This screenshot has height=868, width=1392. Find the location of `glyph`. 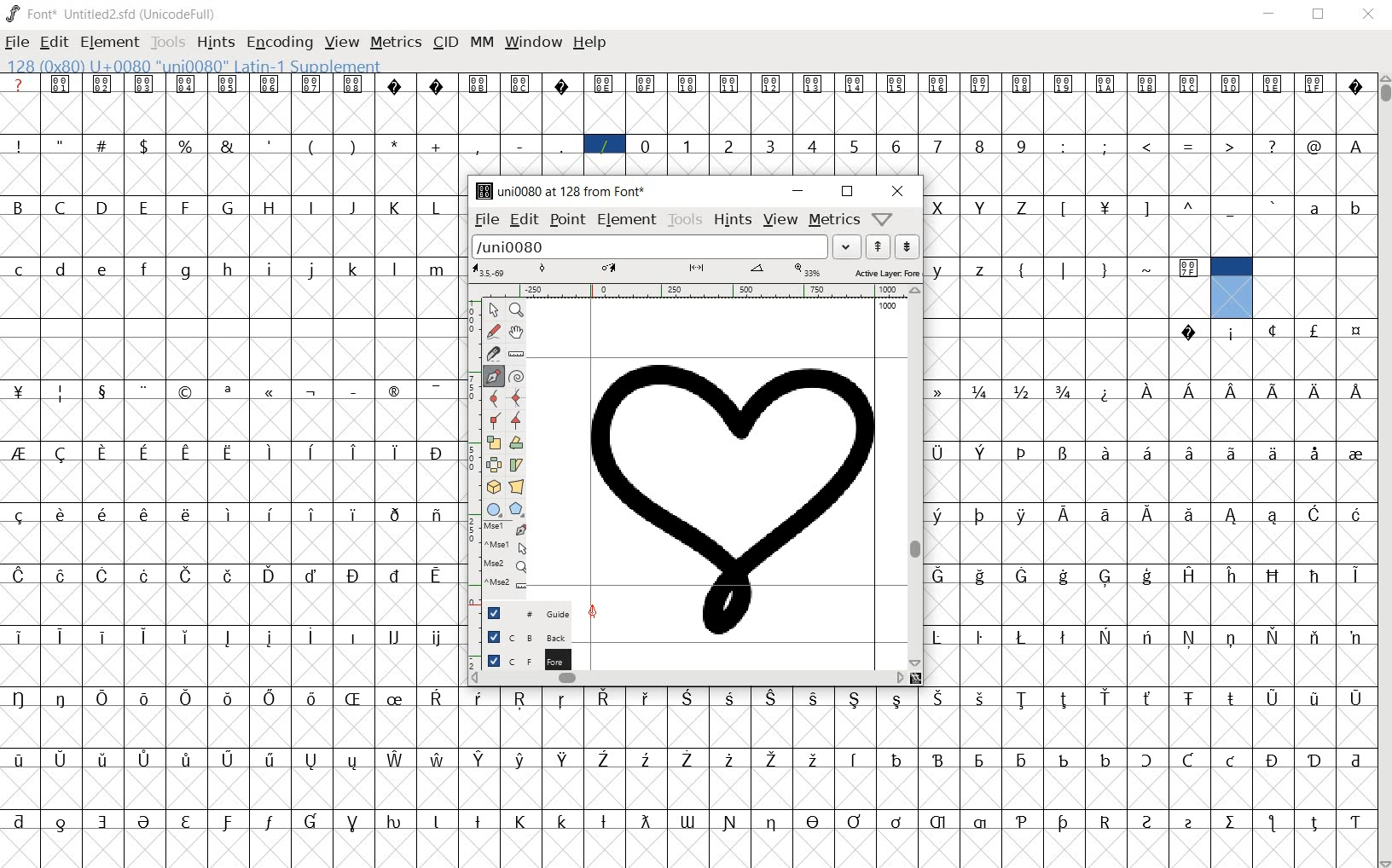

glyph is located at coordinates (1357, 391).